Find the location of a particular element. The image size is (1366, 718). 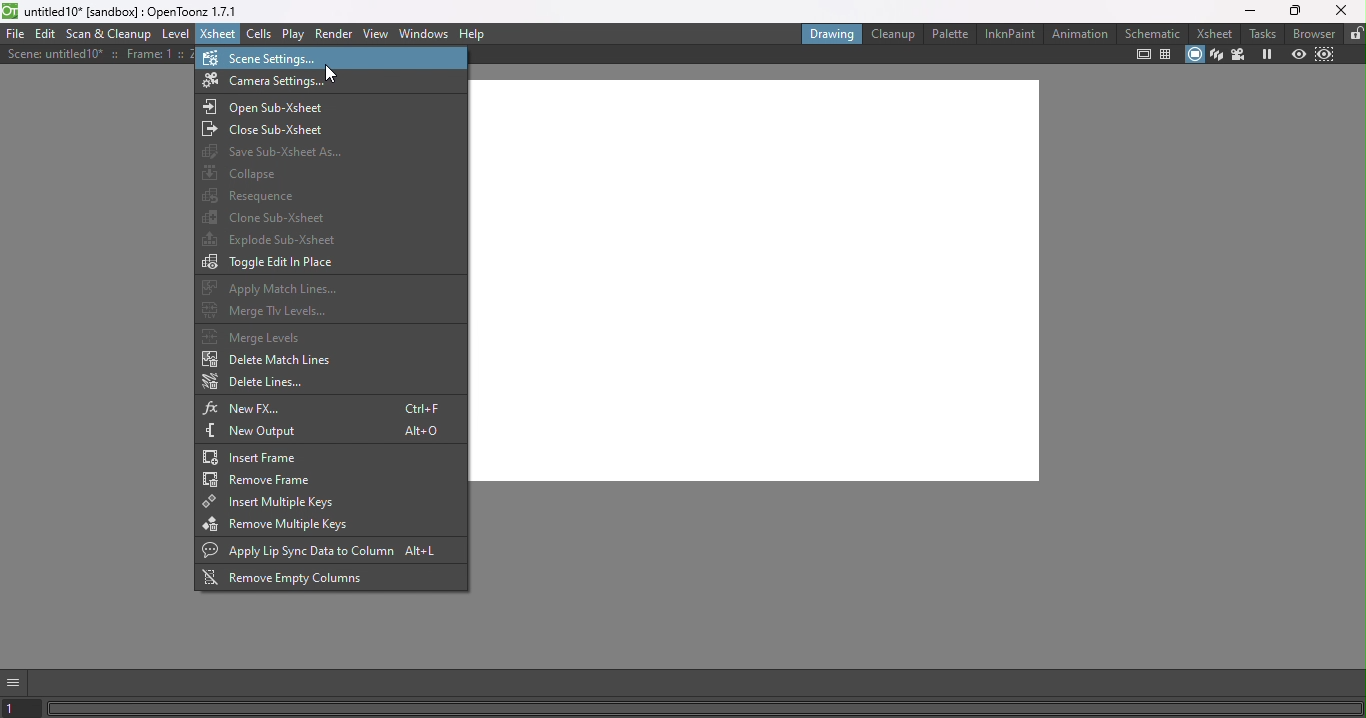

Camera view is located at coordinates (1241, 54).